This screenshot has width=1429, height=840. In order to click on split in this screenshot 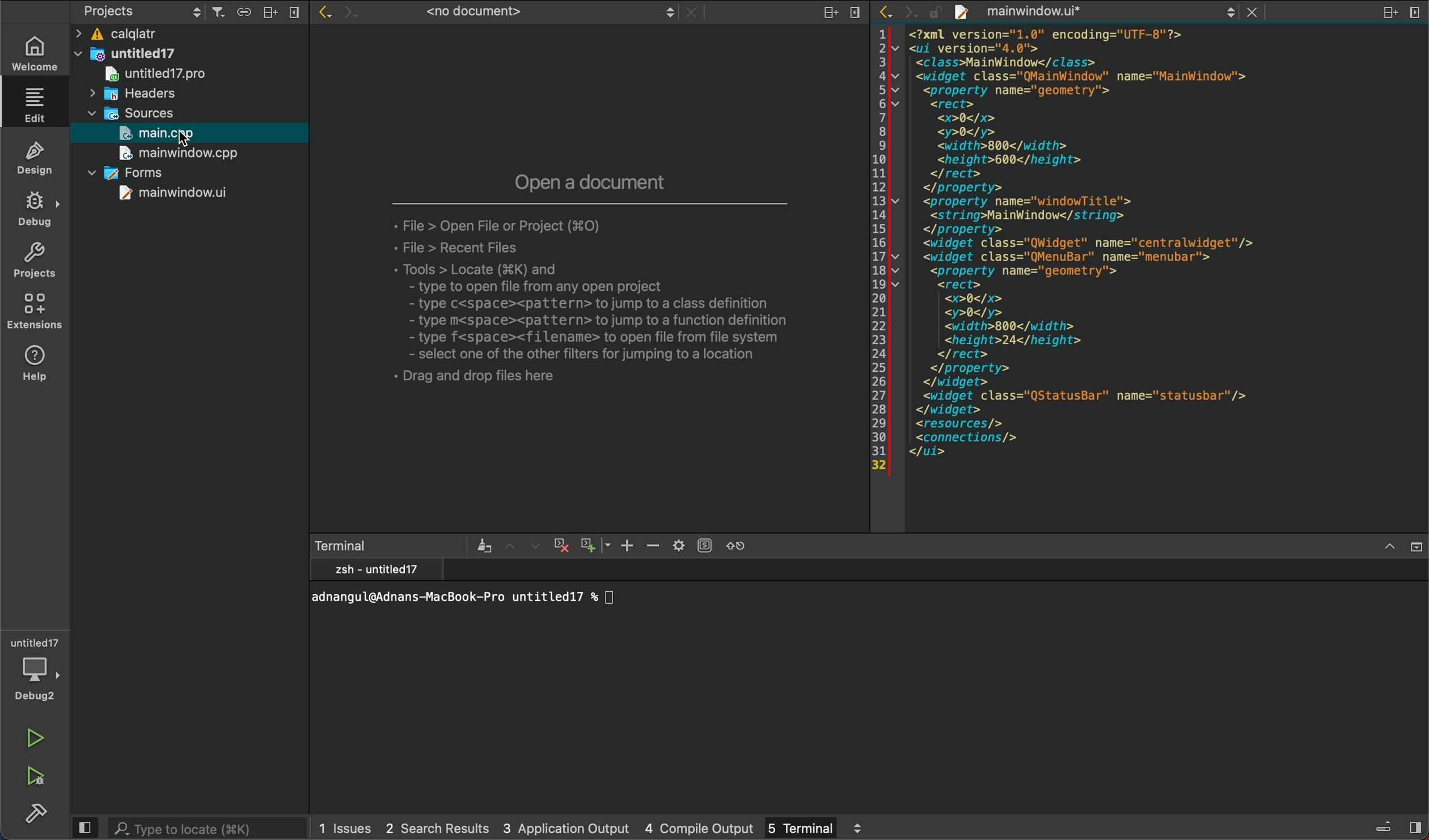, I will do `click(1389, 14)`.